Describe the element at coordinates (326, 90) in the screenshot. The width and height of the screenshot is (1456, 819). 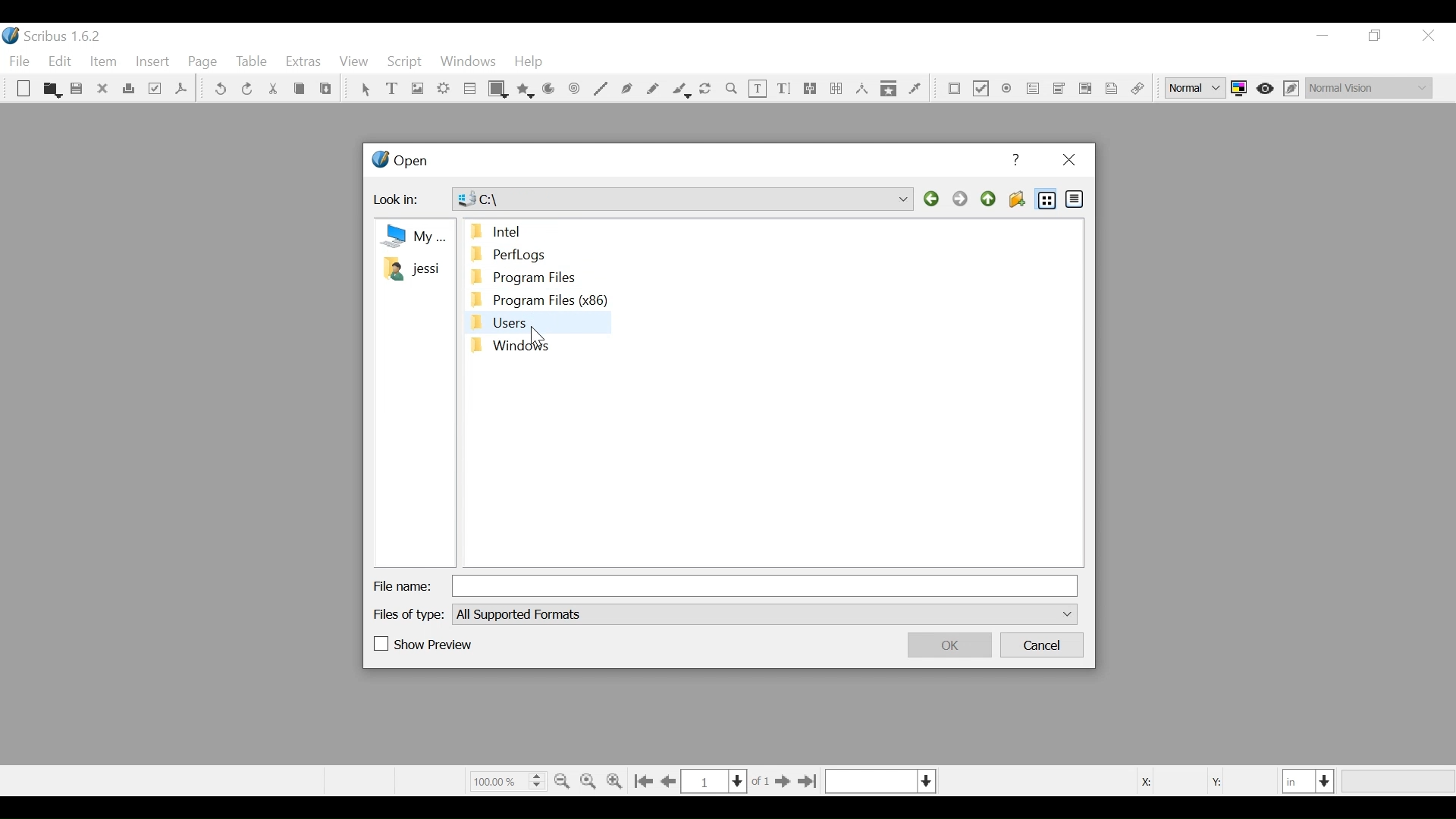
I see `Paste` at that location.